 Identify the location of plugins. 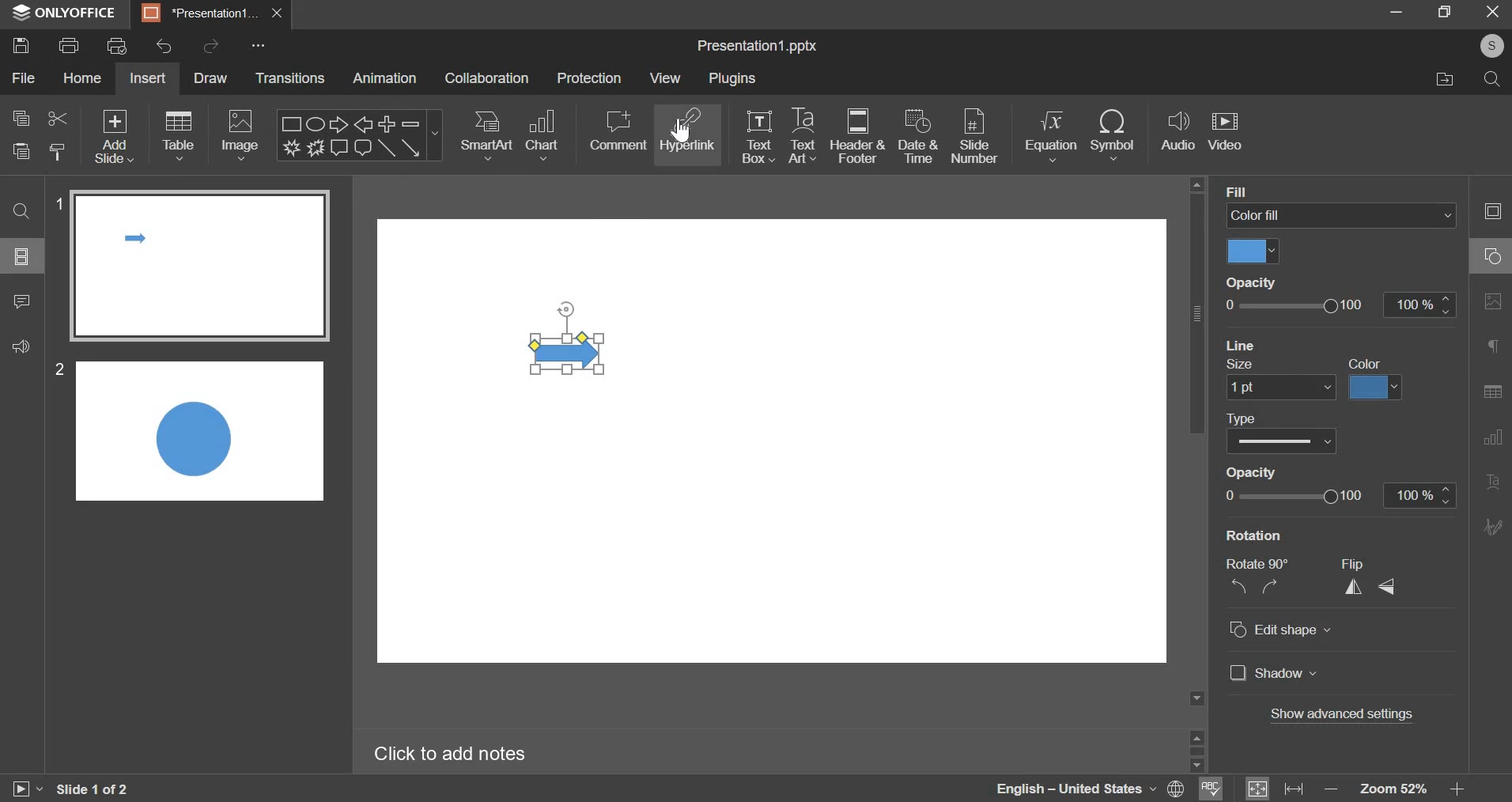
(733, 78).